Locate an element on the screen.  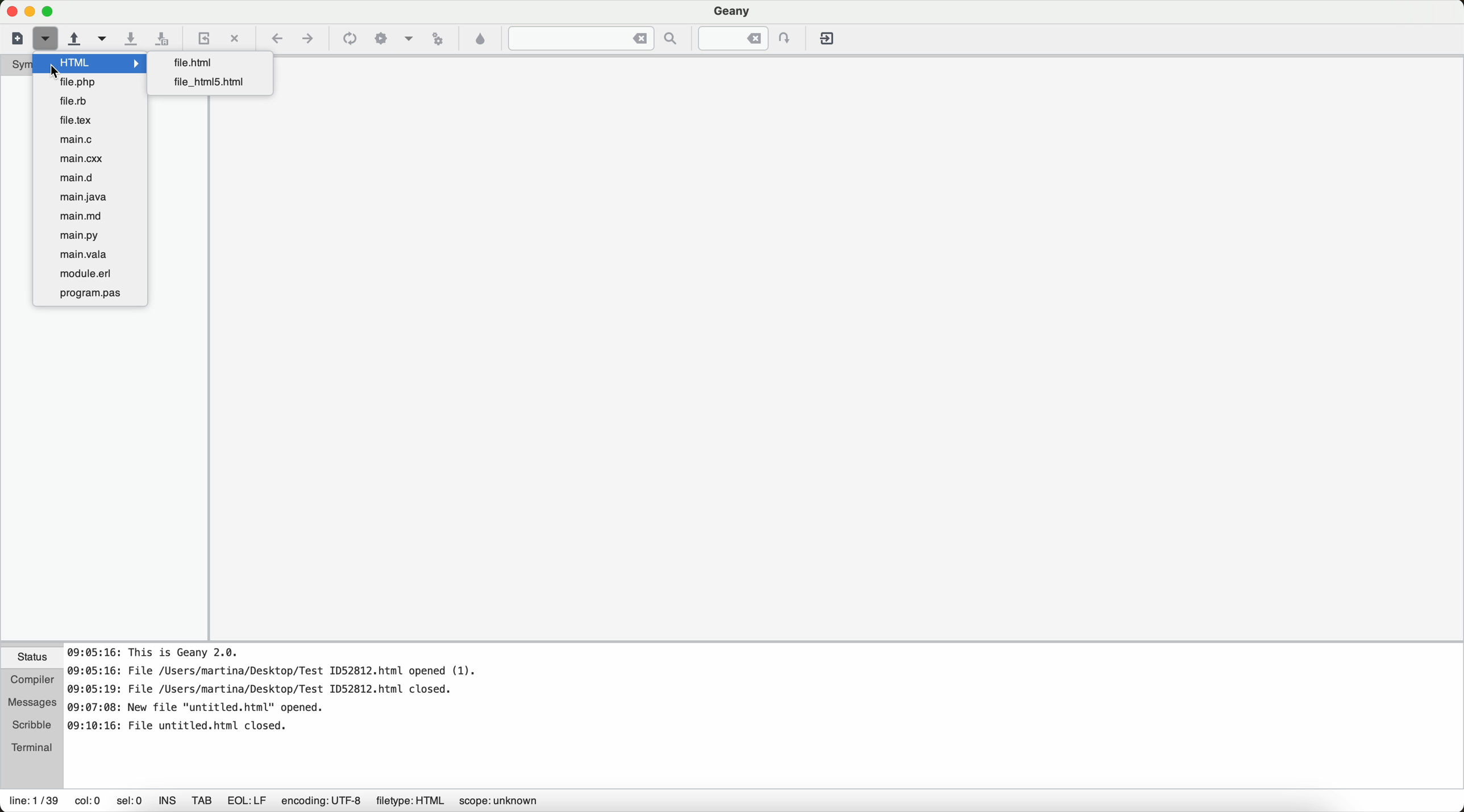
main.md is located at coordinates (89, 214).